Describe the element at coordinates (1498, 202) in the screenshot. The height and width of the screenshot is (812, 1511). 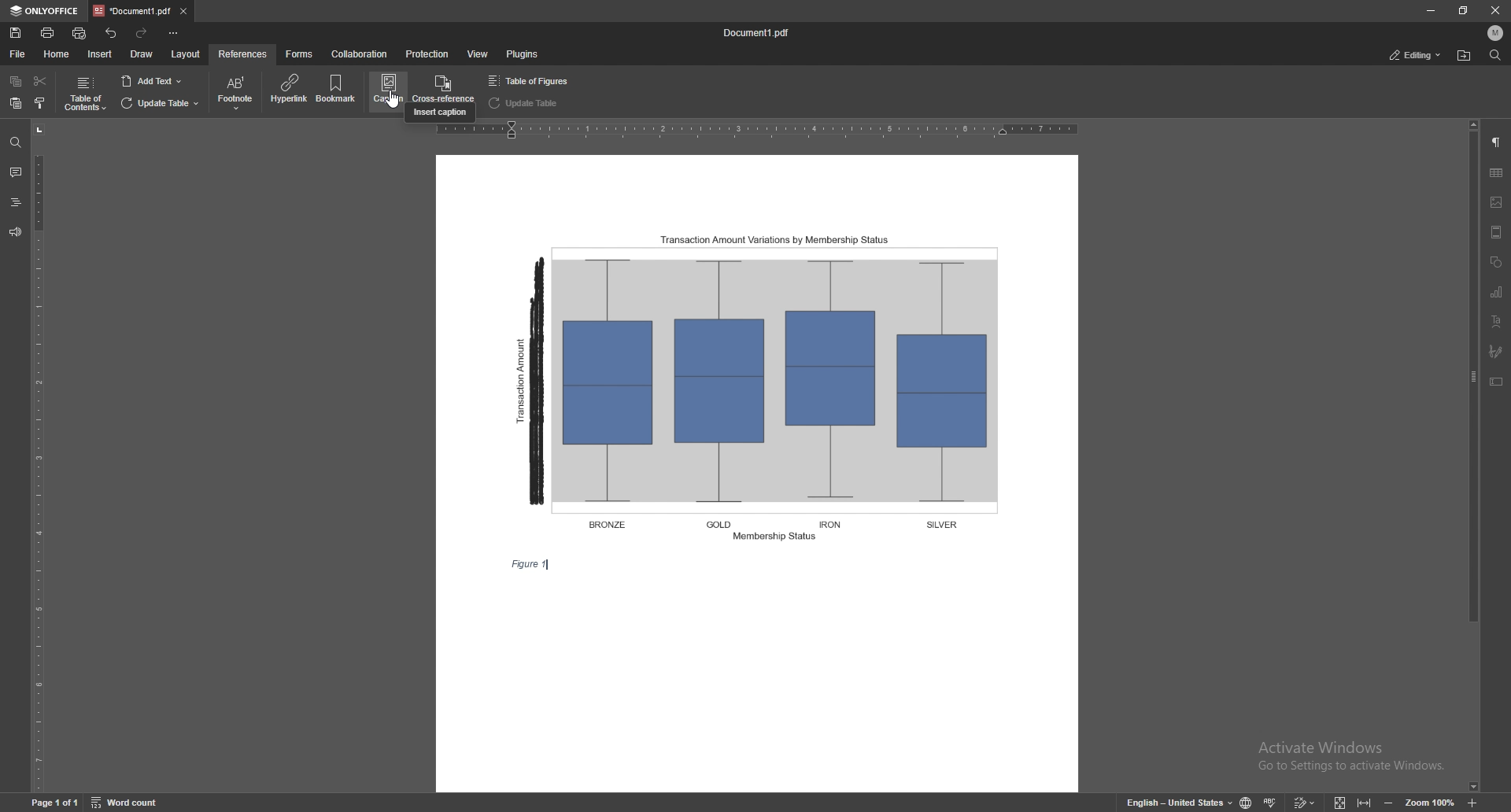
I see `image` at that location.